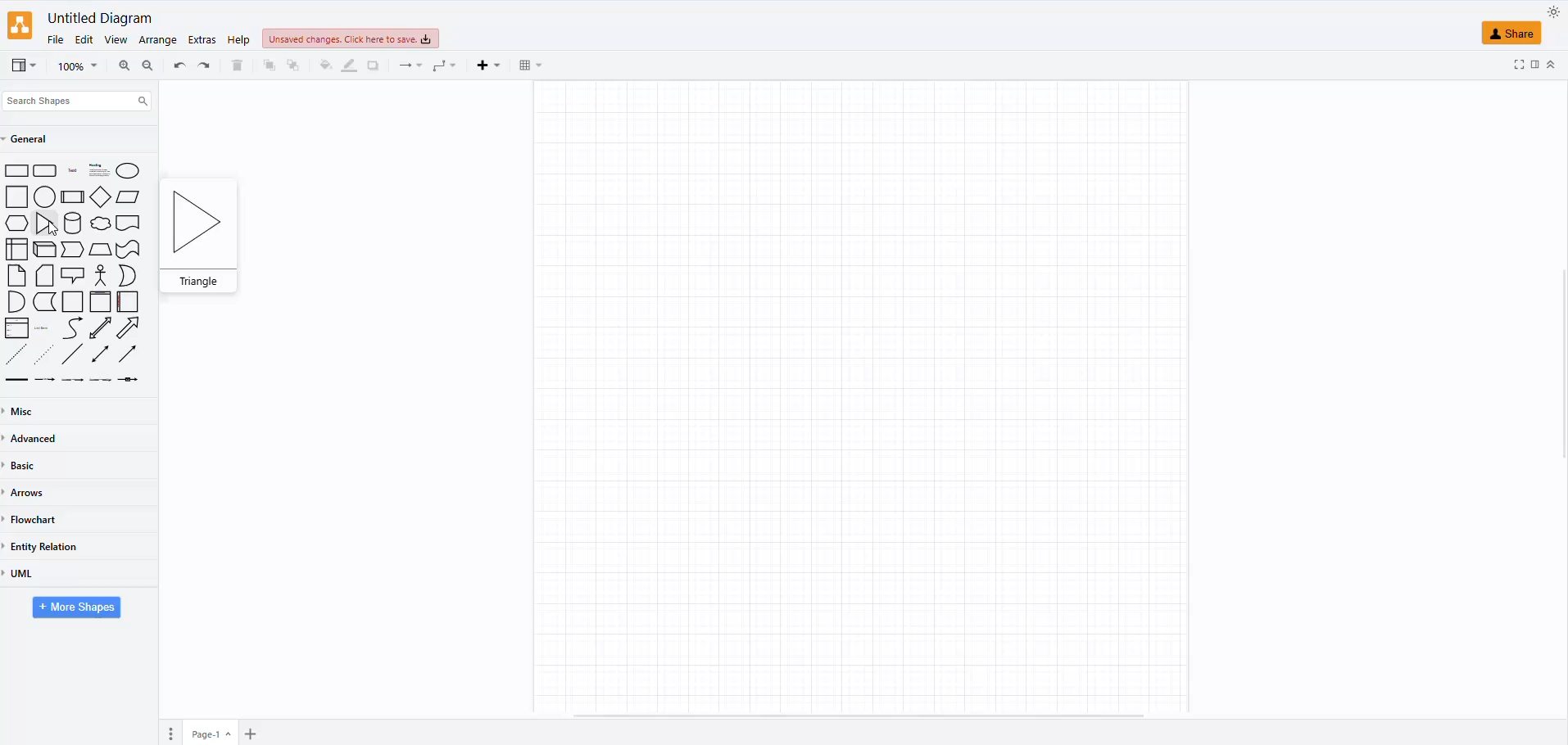  What do you see at coordinates (145, 68) in the screenshot?
I see `zoom in ` at bounding box center [145, 68].